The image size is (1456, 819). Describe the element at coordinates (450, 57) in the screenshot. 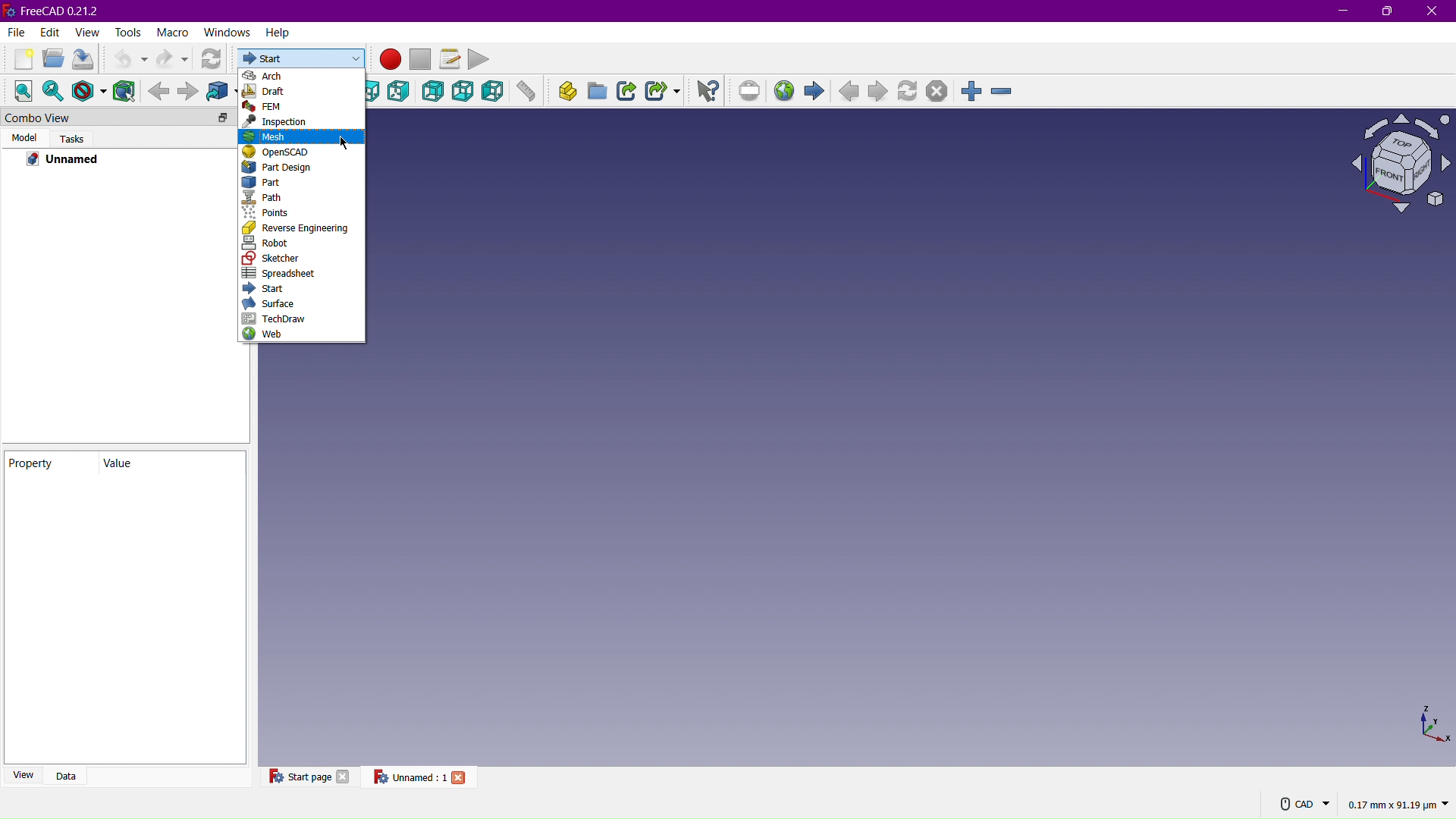

I see `Macros` at that location.